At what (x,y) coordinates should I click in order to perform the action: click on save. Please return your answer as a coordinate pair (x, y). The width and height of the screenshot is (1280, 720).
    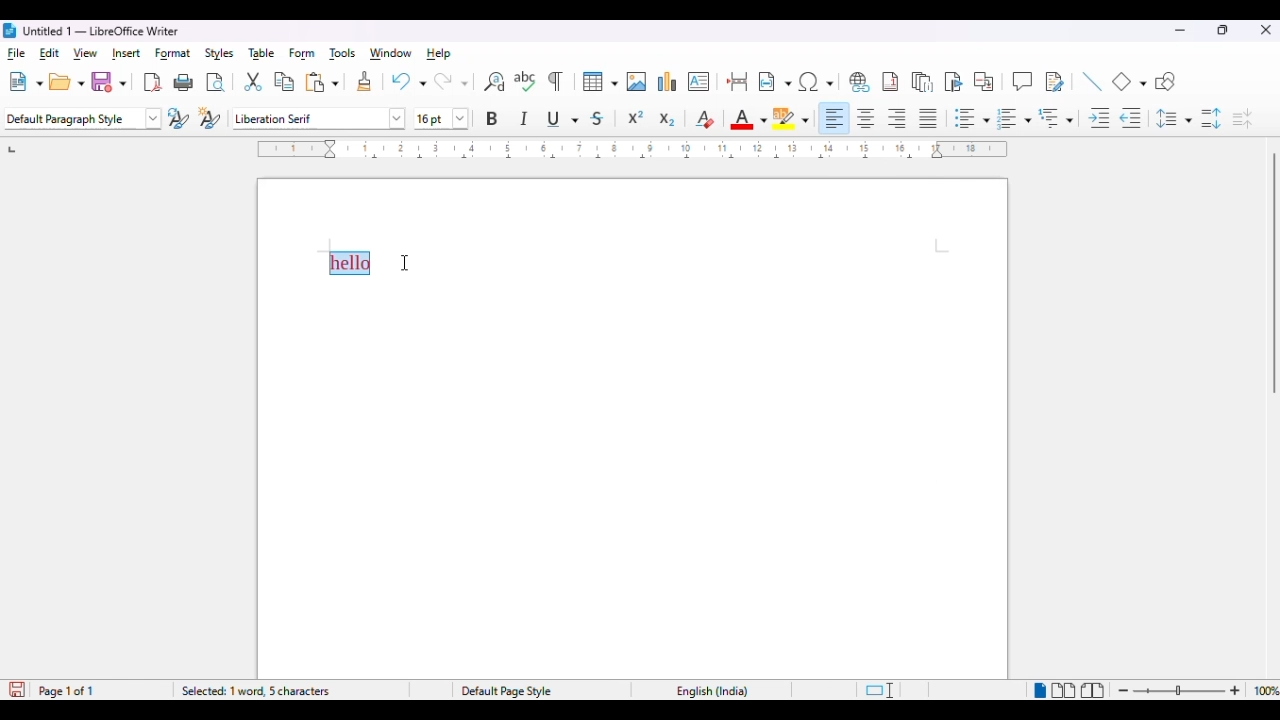
    Looking at the image, I should click on (109, 82).